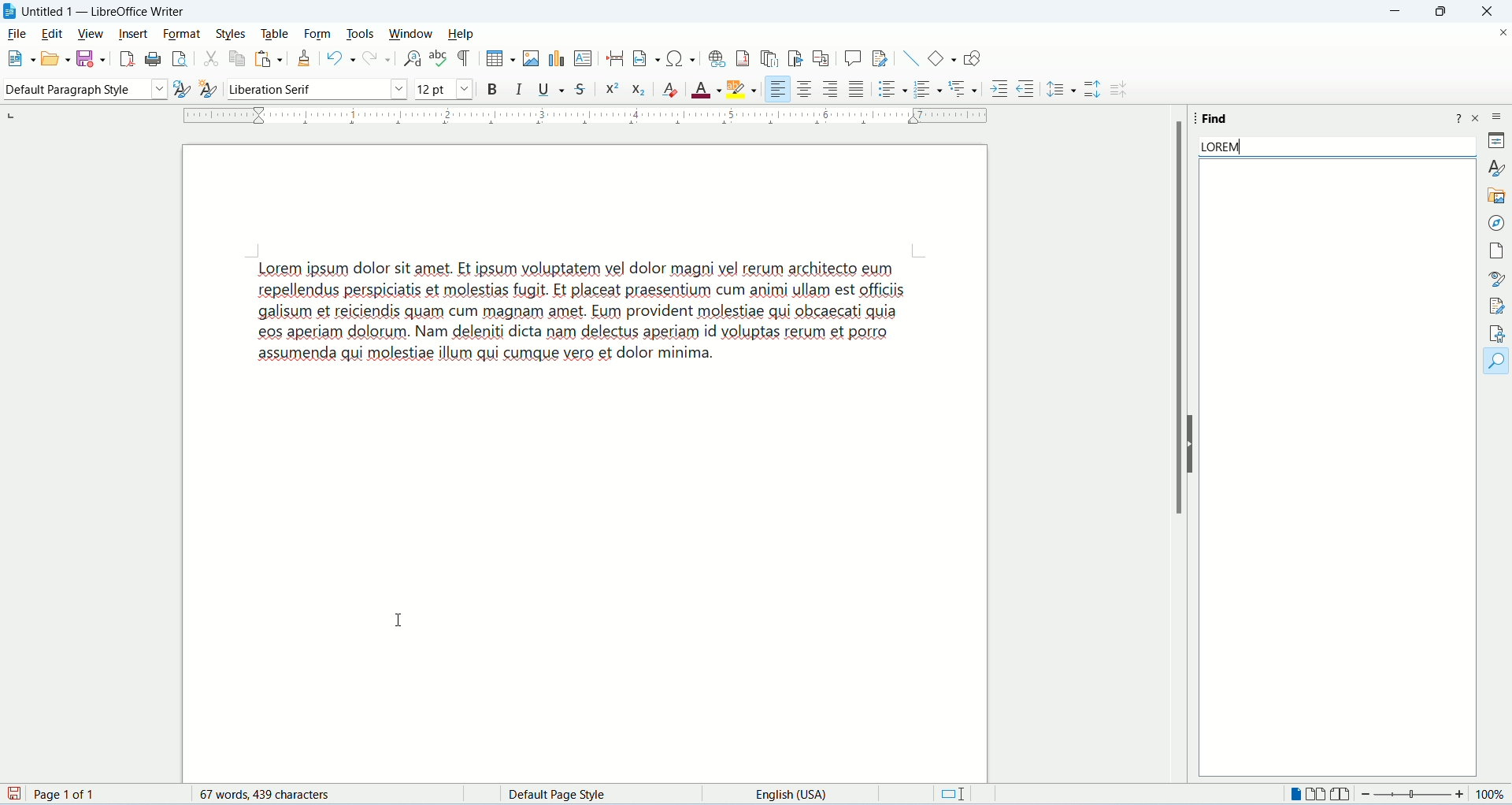 Image resolution: width=1512 pixels, height=805 pixels. I want to click on table, so click(274, 33).